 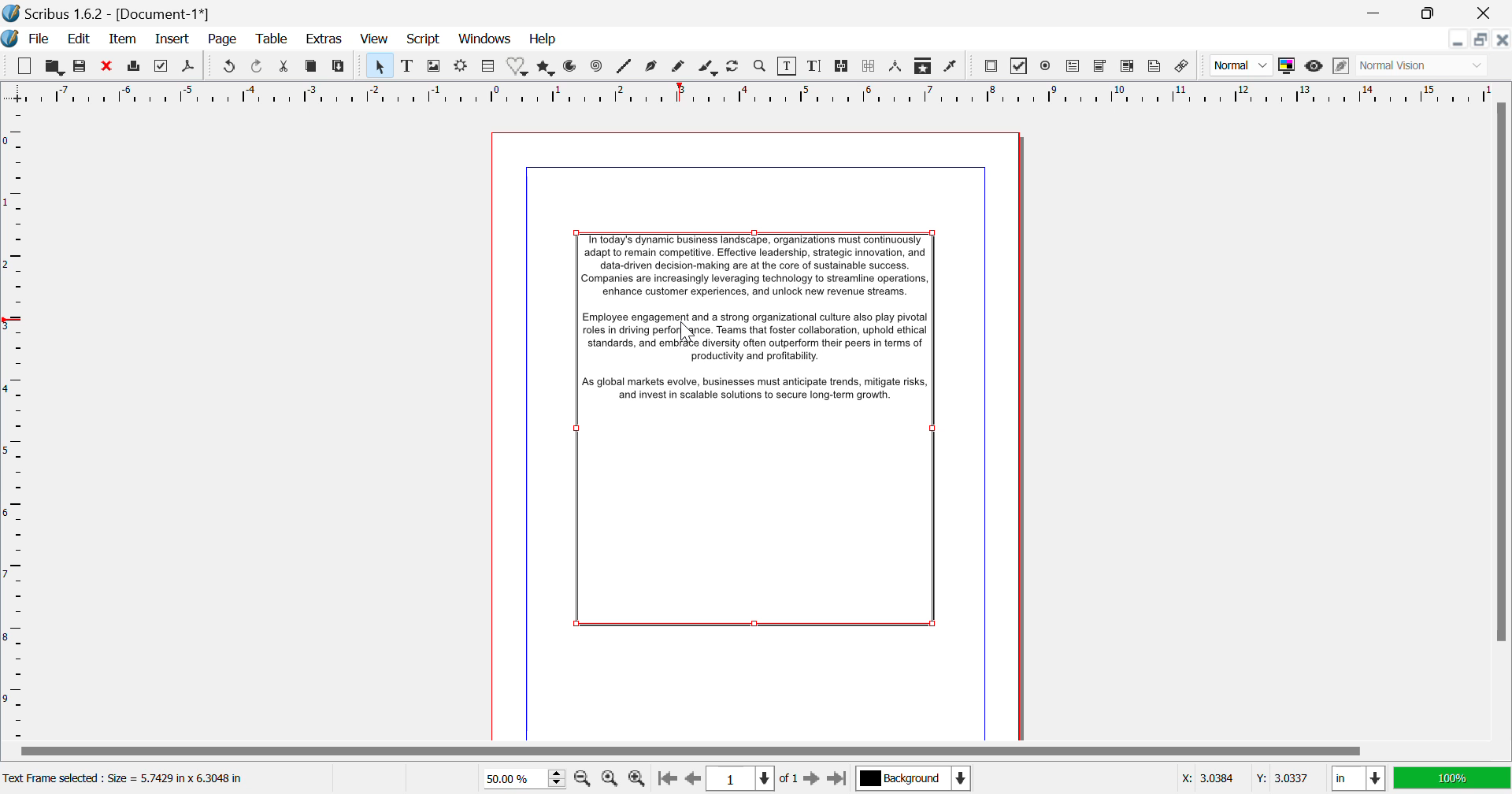 What do you see at coordinates (1314, 66) in the screenshot?
I see `Preview` at bounding box center [1314, 66].